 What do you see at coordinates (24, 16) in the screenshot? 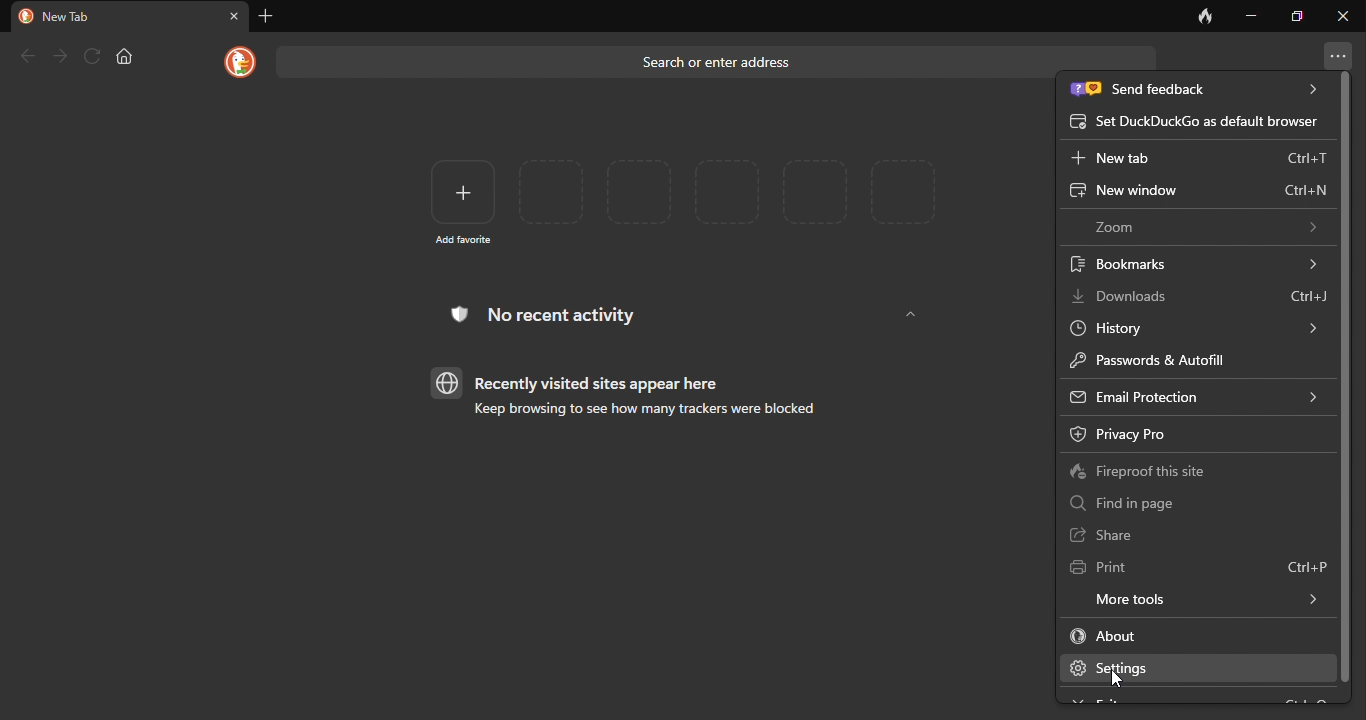
I see `duckduck go logo` at bounding box center [24, 16].